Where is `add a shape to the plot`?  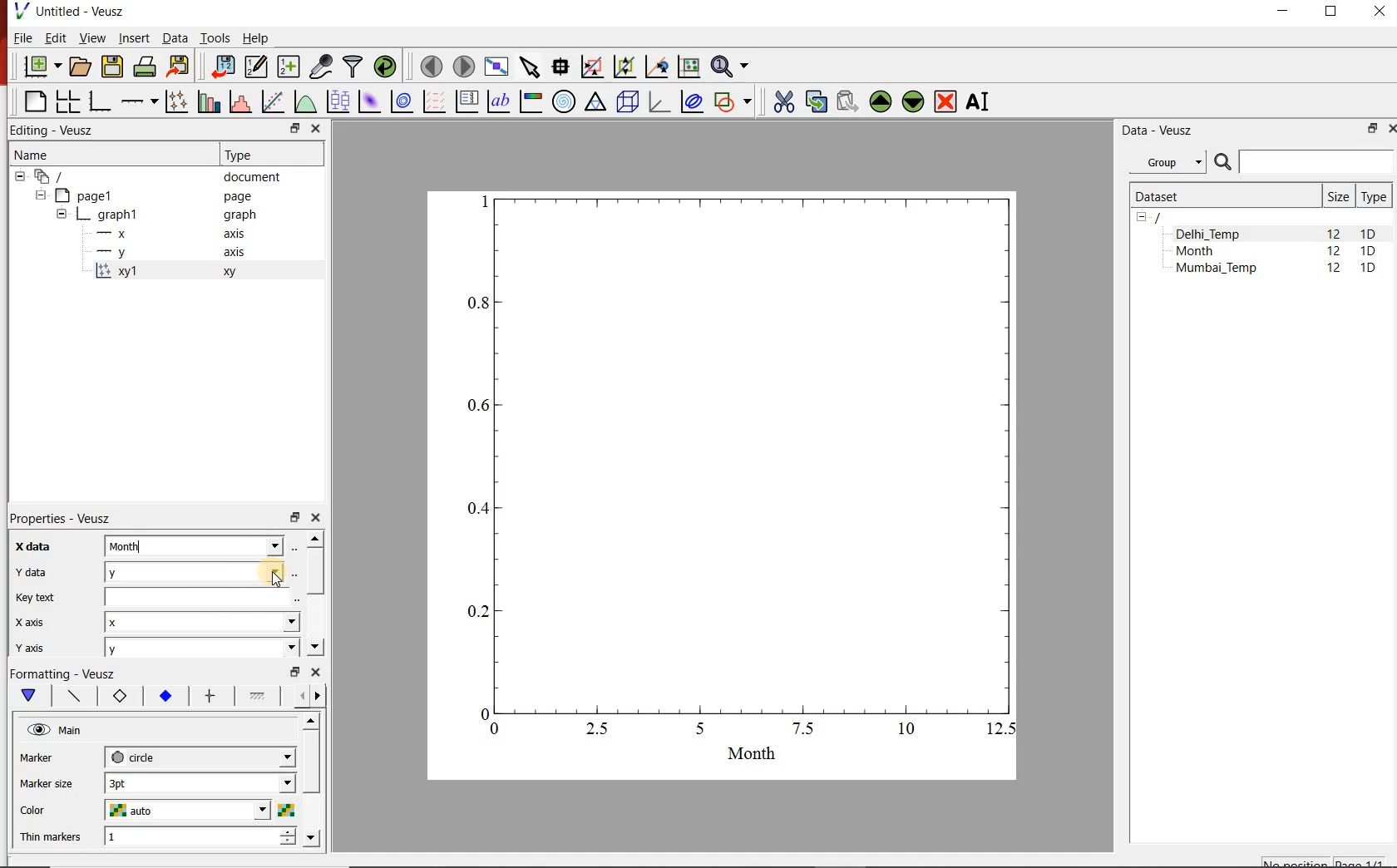 add a shape to the plot is located at coordinates (733, 103).